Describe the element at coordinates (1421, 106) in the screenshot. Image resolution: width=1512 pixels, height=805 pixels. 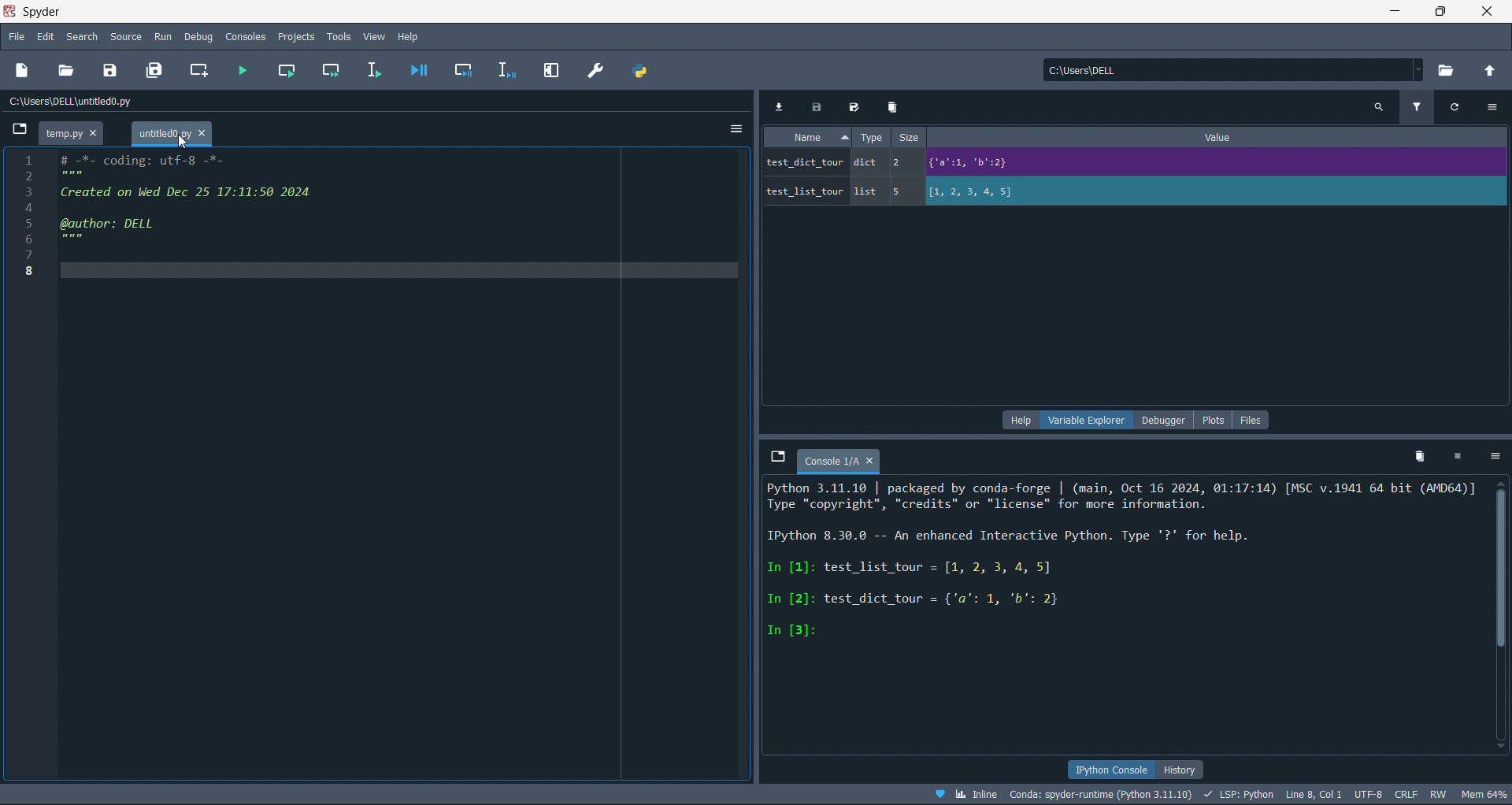
I see `filter ` at that location.